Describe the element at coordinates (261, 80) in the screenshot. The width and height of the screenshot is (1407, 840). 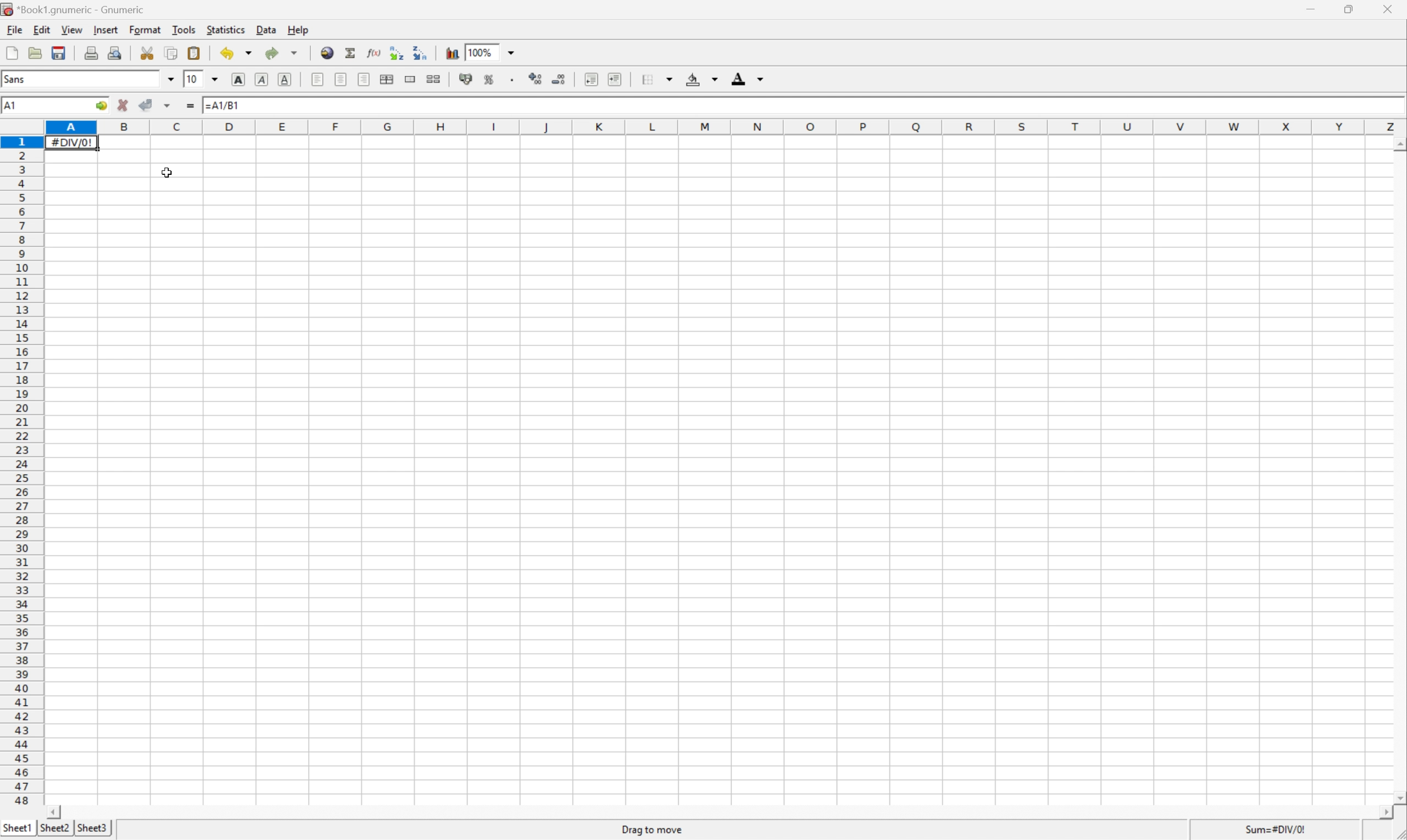
I see `Italic` at that location.